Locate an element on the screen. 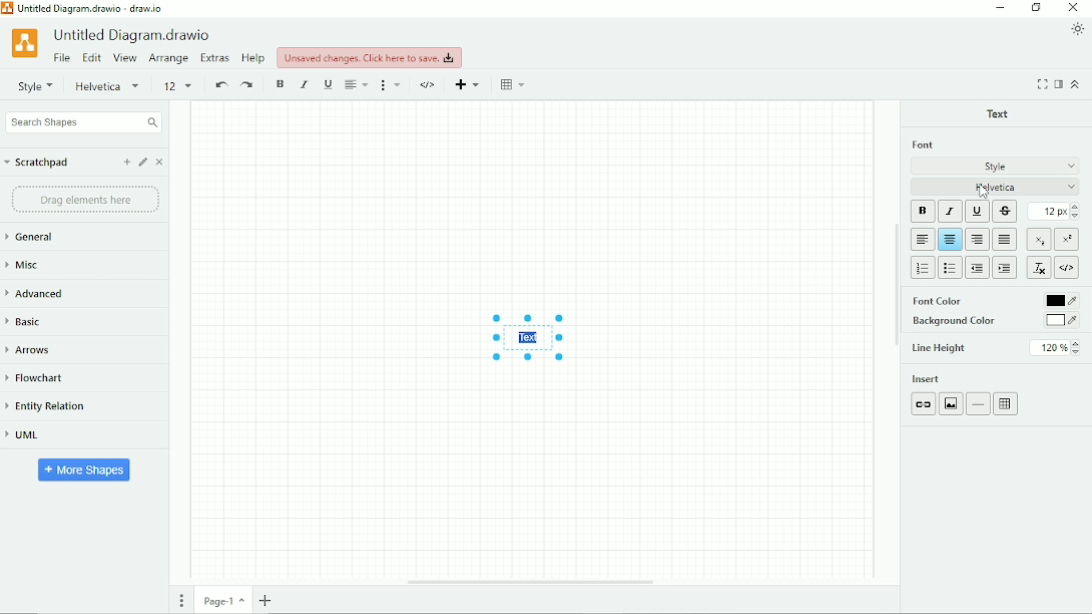  Horizontal scrollbar is located at coordinates (531, 581).